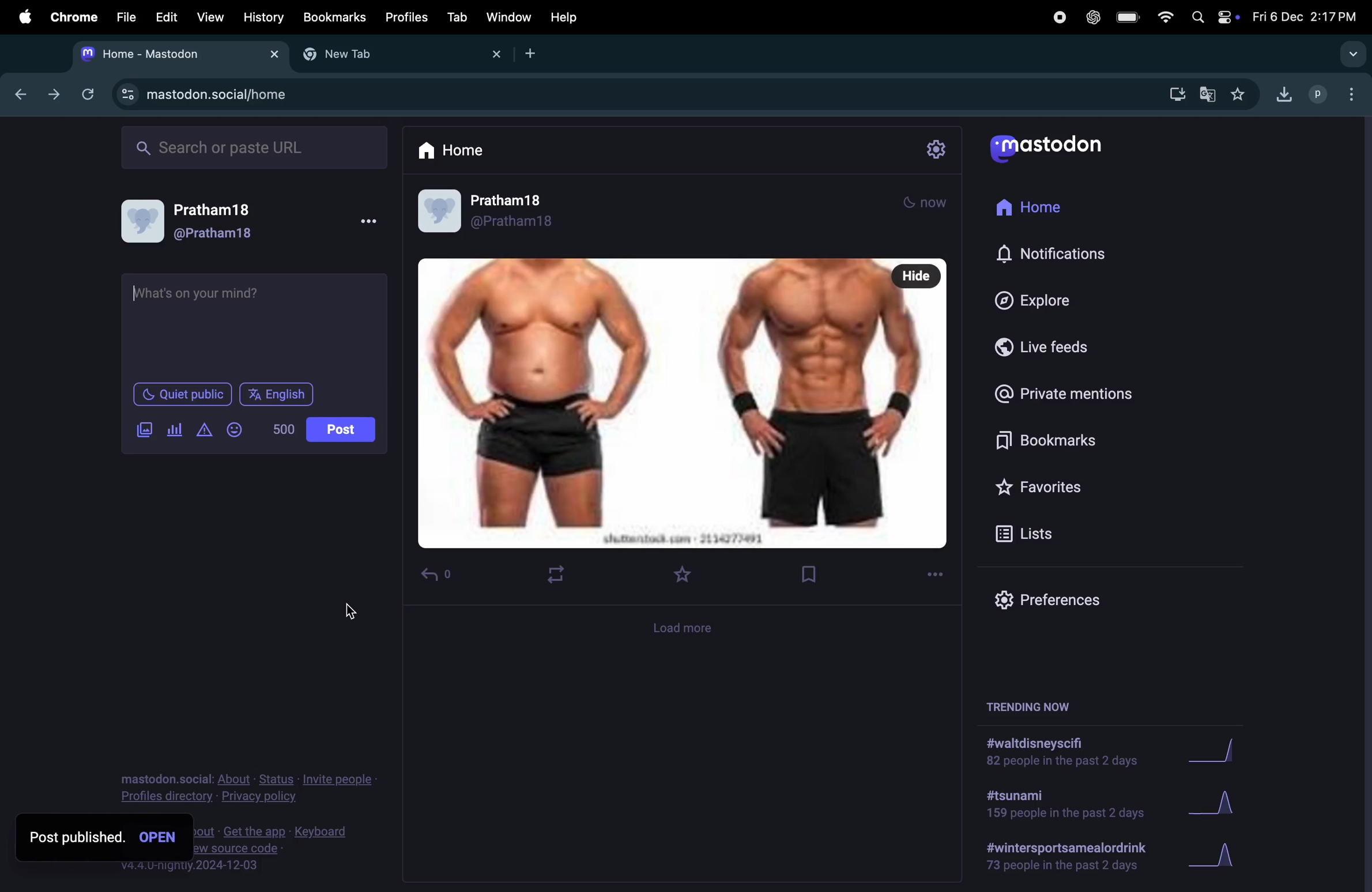  I want to click on load more, so click(687, 631).